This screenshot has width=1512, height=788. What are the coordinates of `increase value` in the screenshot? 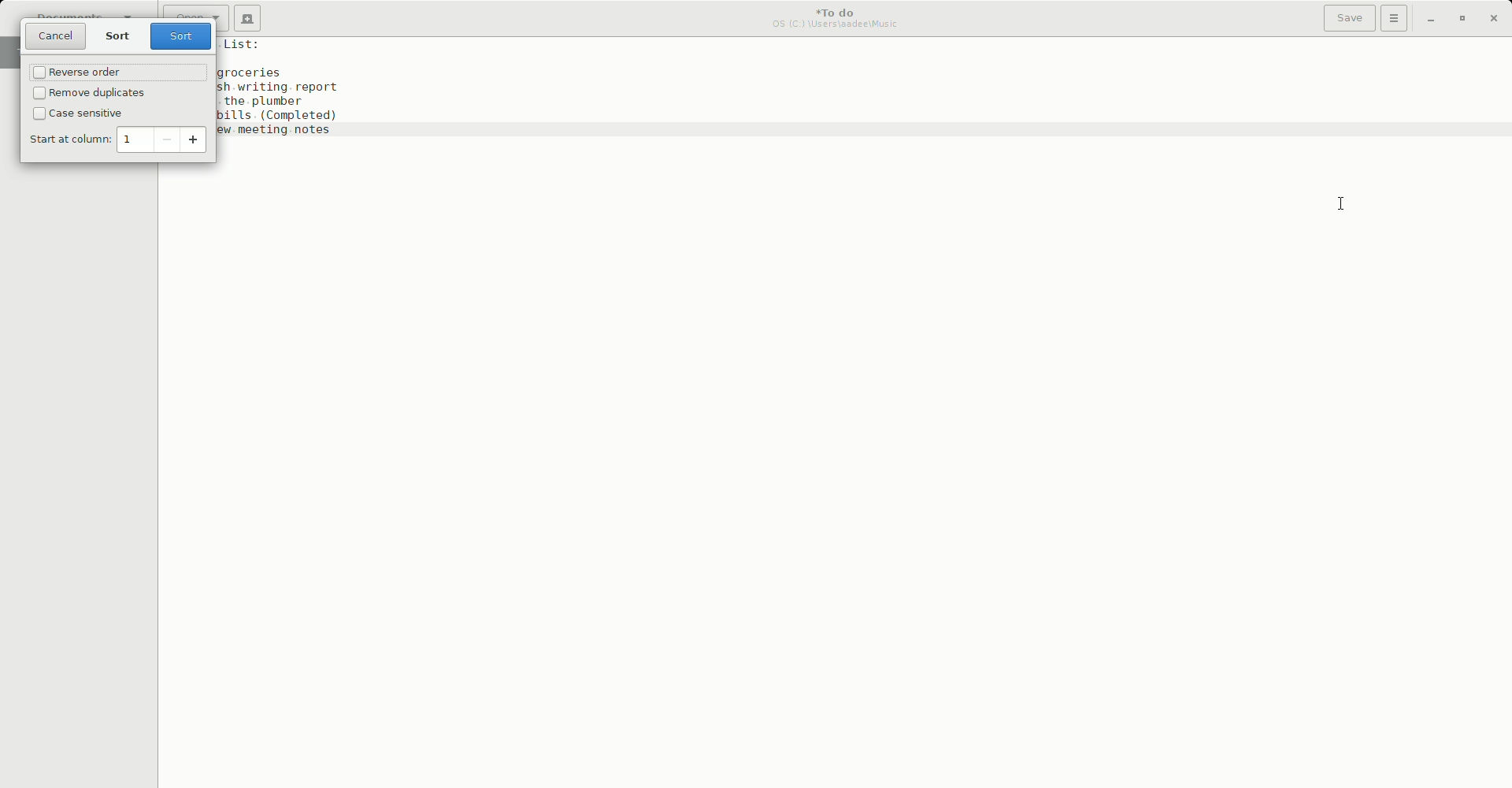 It's located at (196, 139).